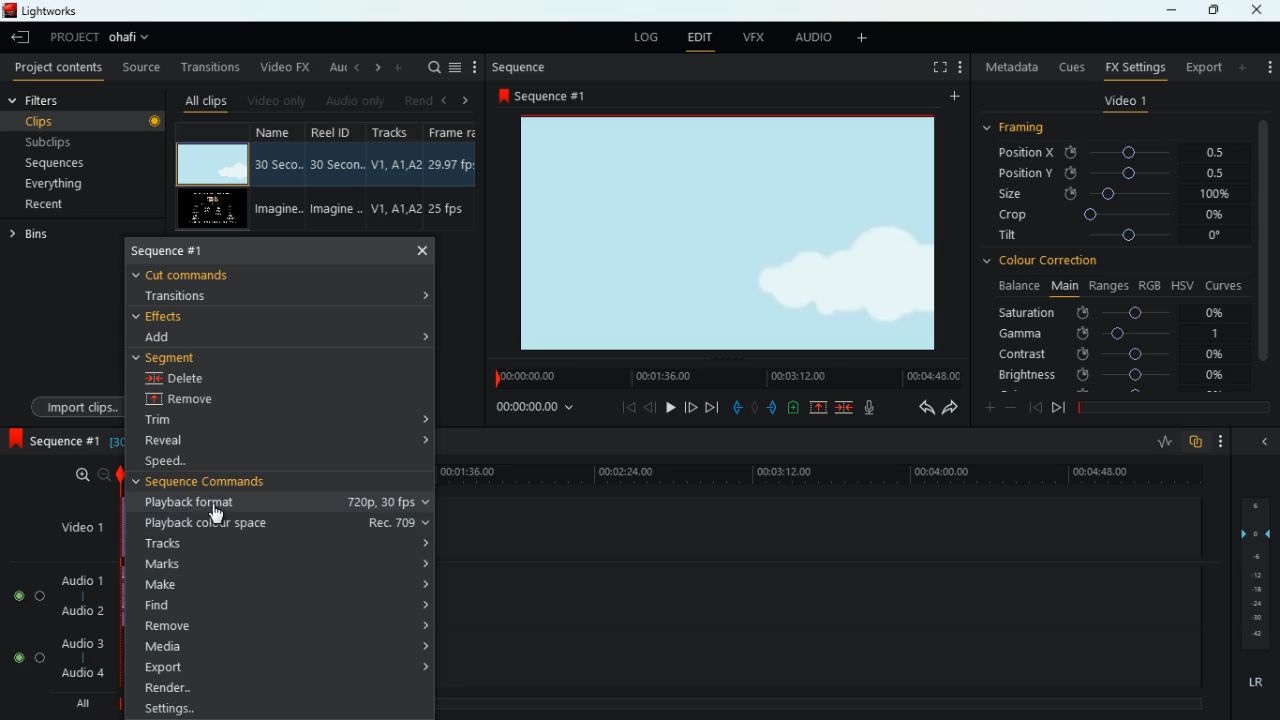  Describe the element at coordinates (200, 273) in the screenshot. I see `cut commands` at that location.